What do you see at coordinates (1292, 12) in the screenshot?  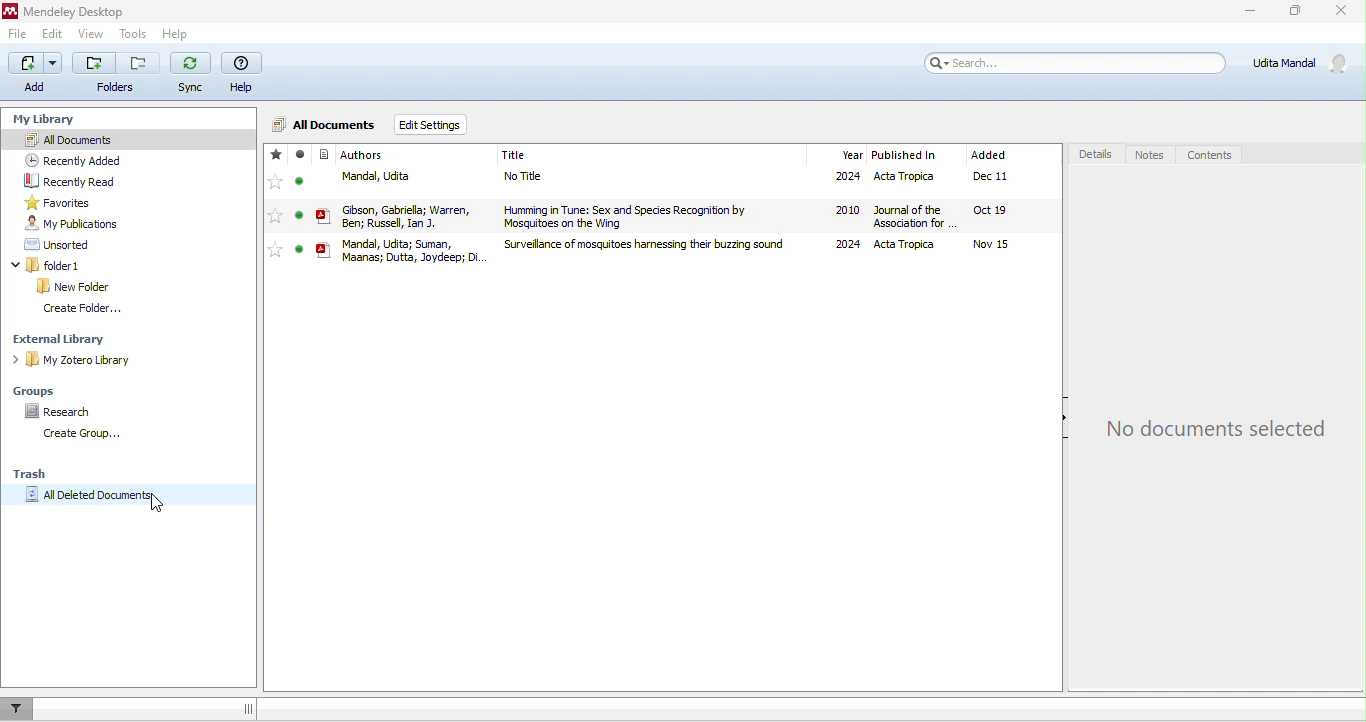 I see `maximize` at bounding box center [1292, 12].